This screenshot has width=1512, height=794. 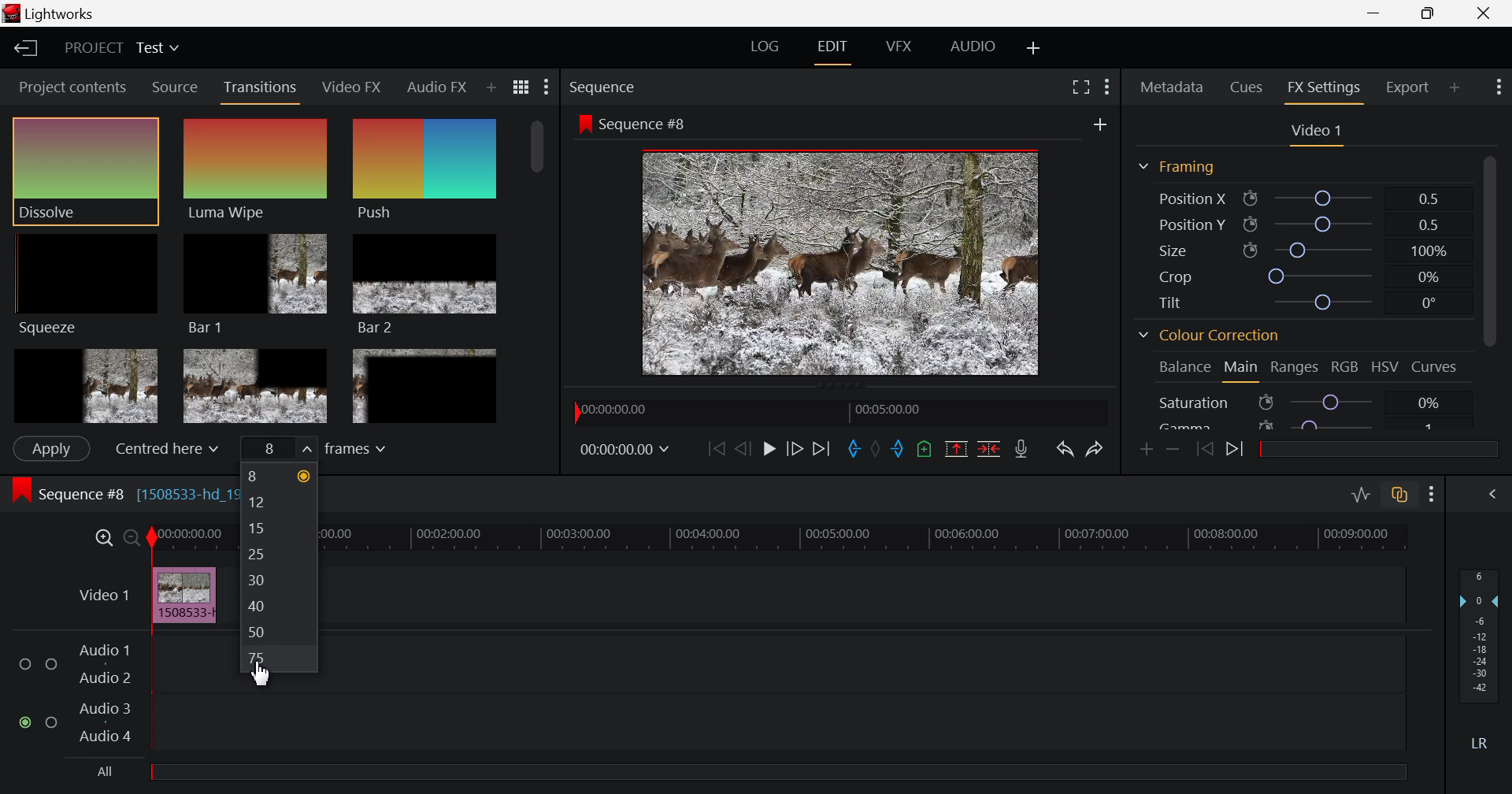 I want to click on Position Y, so click(x=1296, y=222).